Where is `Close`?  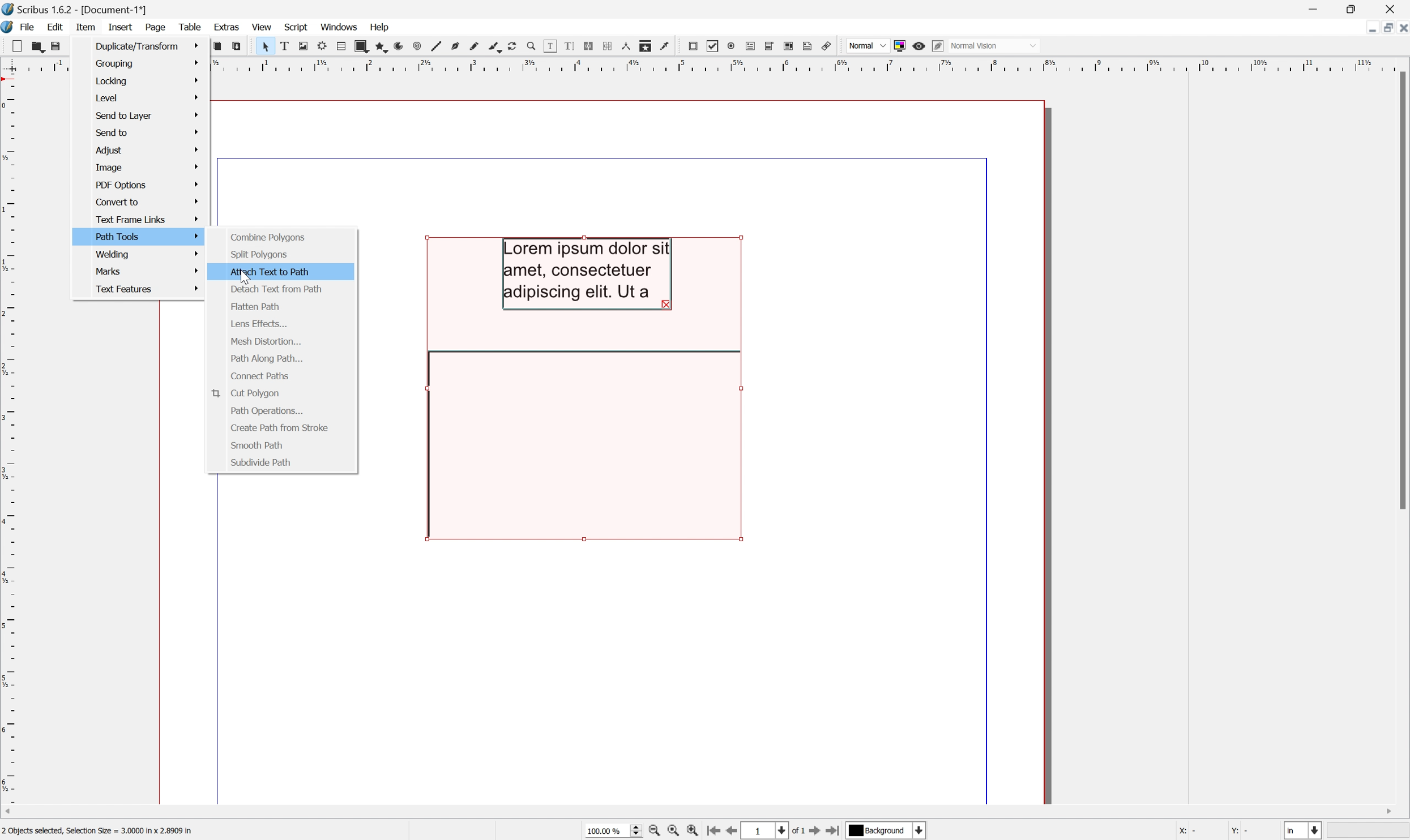 Close is located at coordinates (1392, 8).